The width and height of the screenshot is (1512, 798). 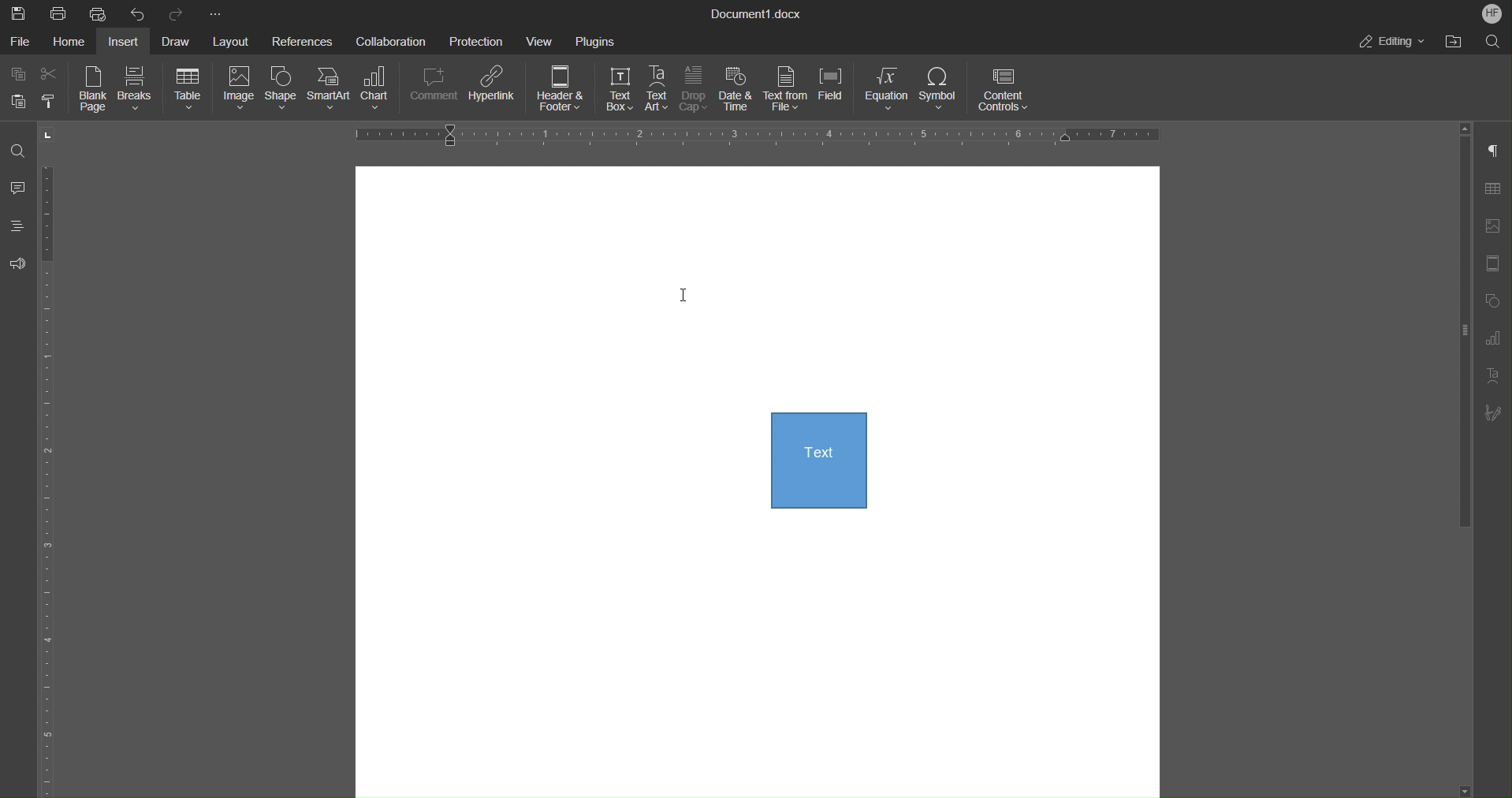 What do you see at coordinates (1496, 376) in the screenshot?
I see `Text Art` at bounding box center [1496, 376].